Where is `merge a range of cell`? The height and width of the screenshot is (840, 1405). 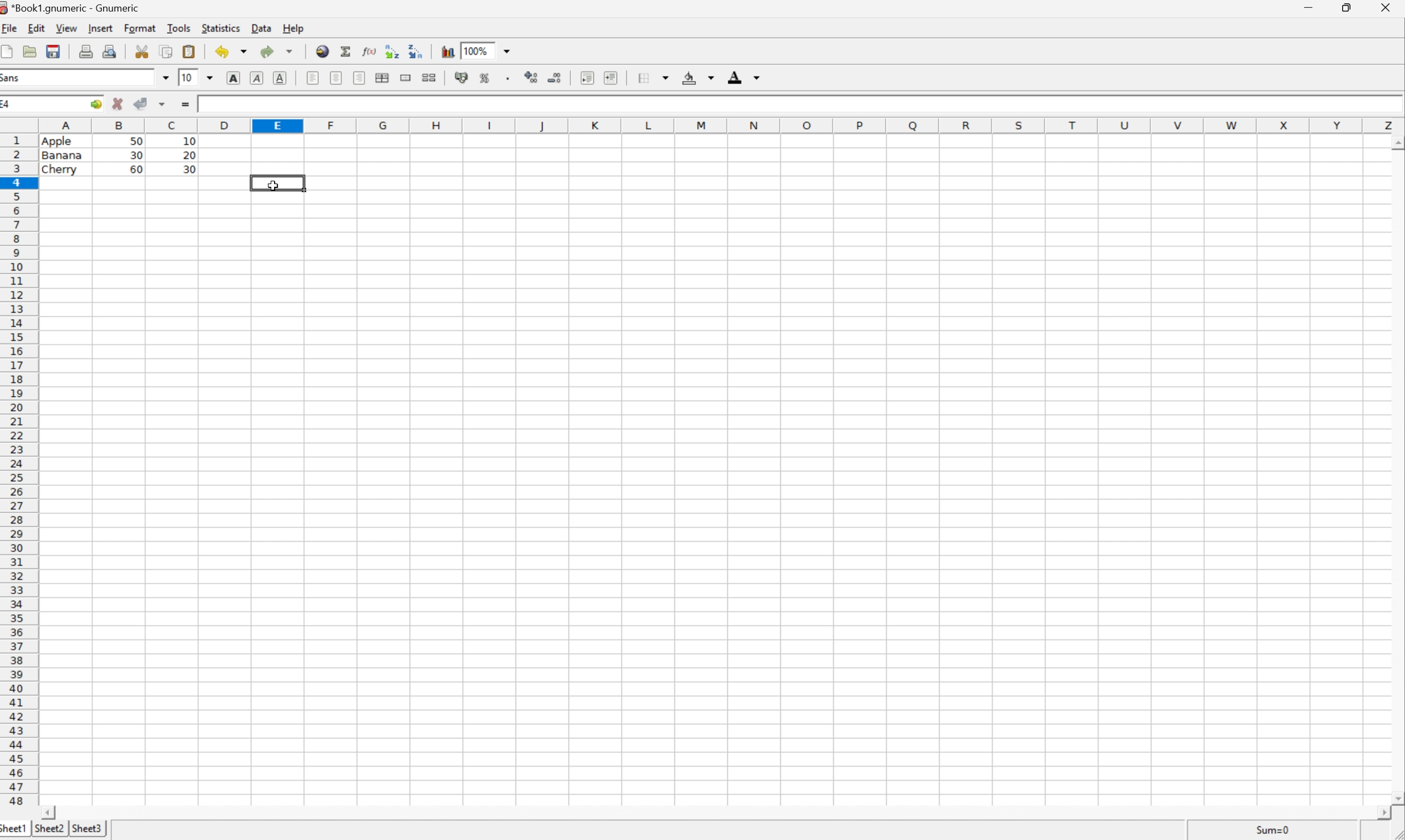 merge a range of cell is located at coordinates (406, 76).